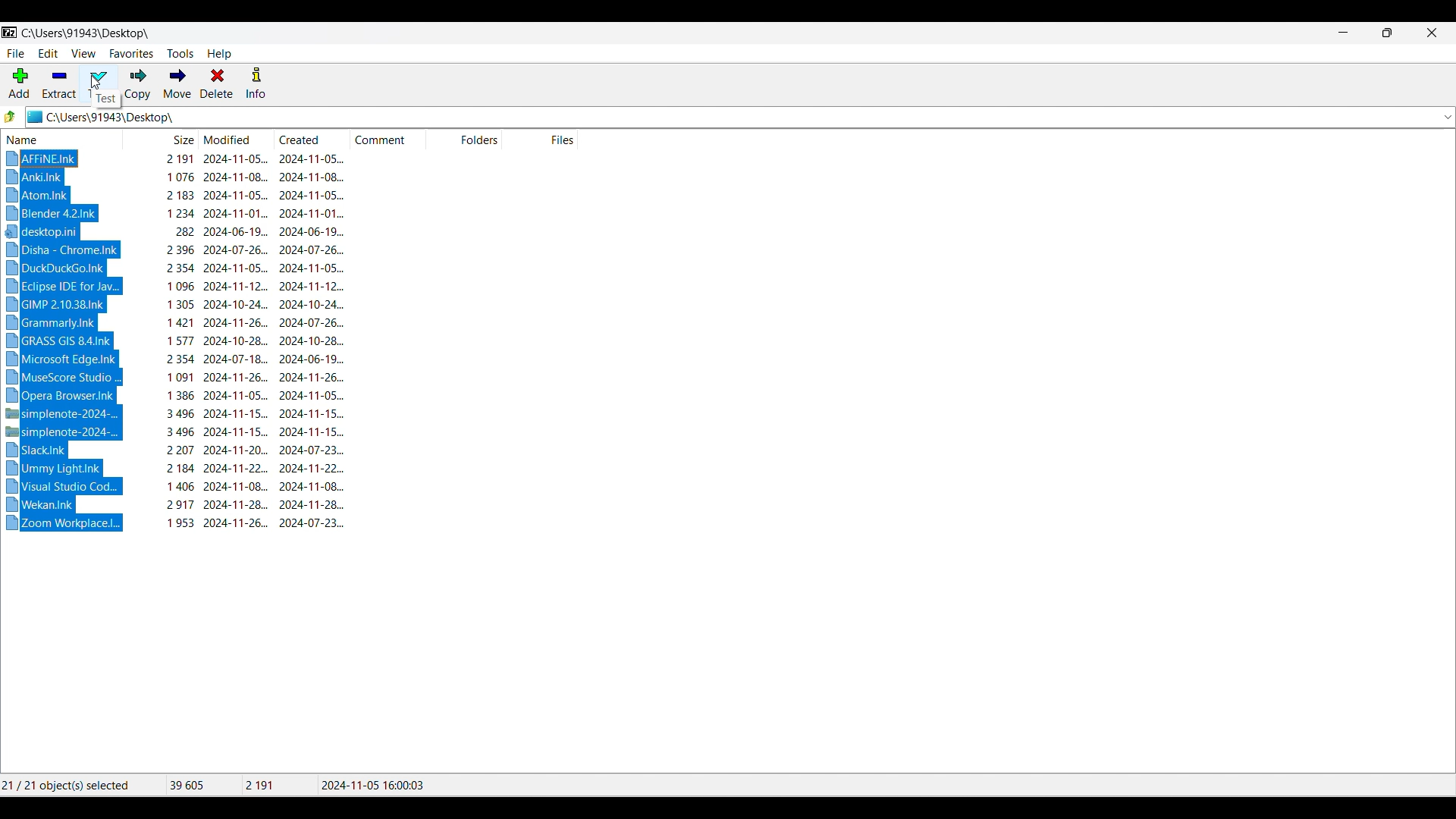 Image resolution: width=1456 pixels, height=819 pixels. Describe the element at coordinates (177, 83) in the screenshot. I see `Move` at that location.